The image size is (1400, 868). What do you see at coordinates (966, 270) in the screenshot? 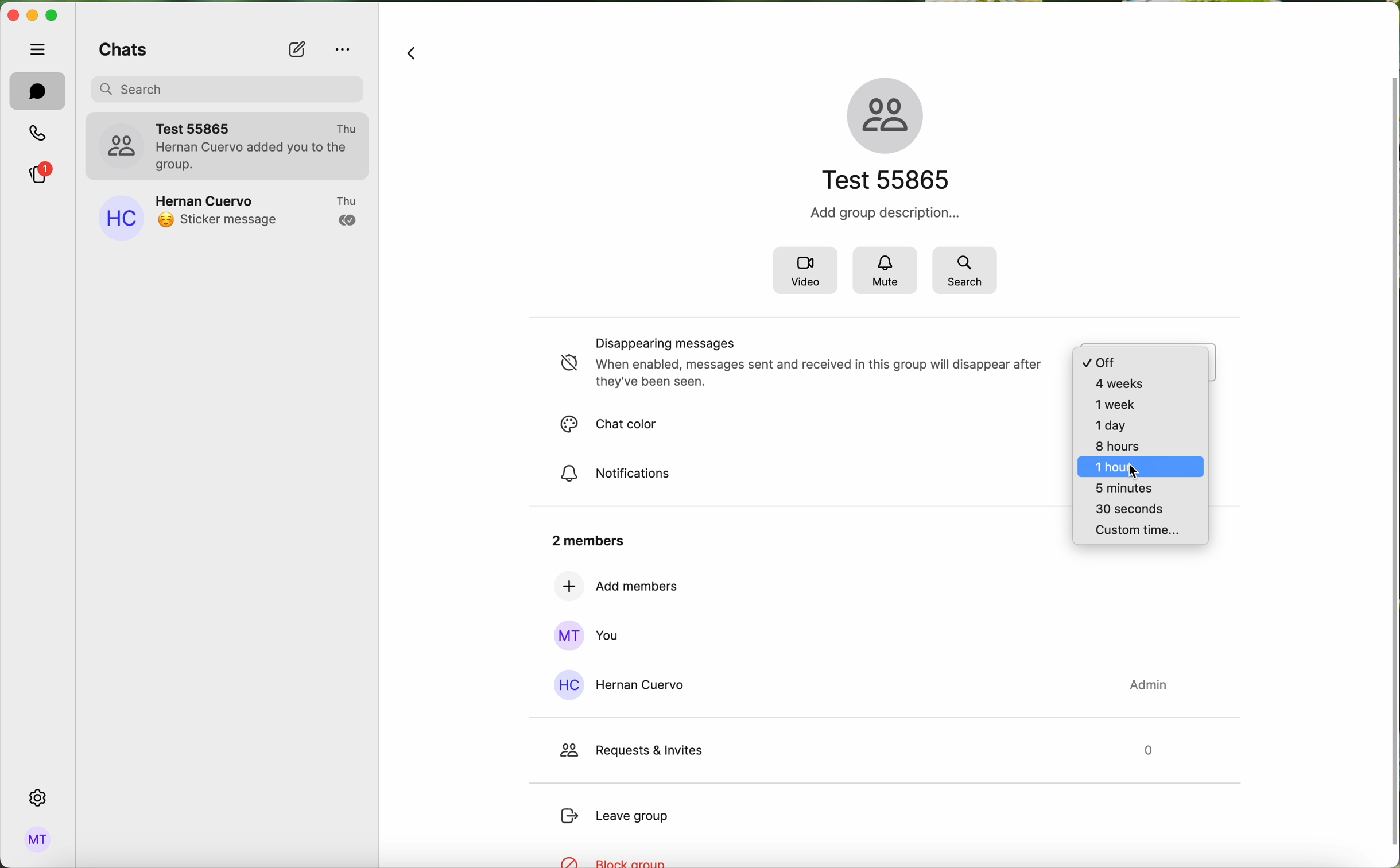
I see `search` at bounding box center [966, 270].